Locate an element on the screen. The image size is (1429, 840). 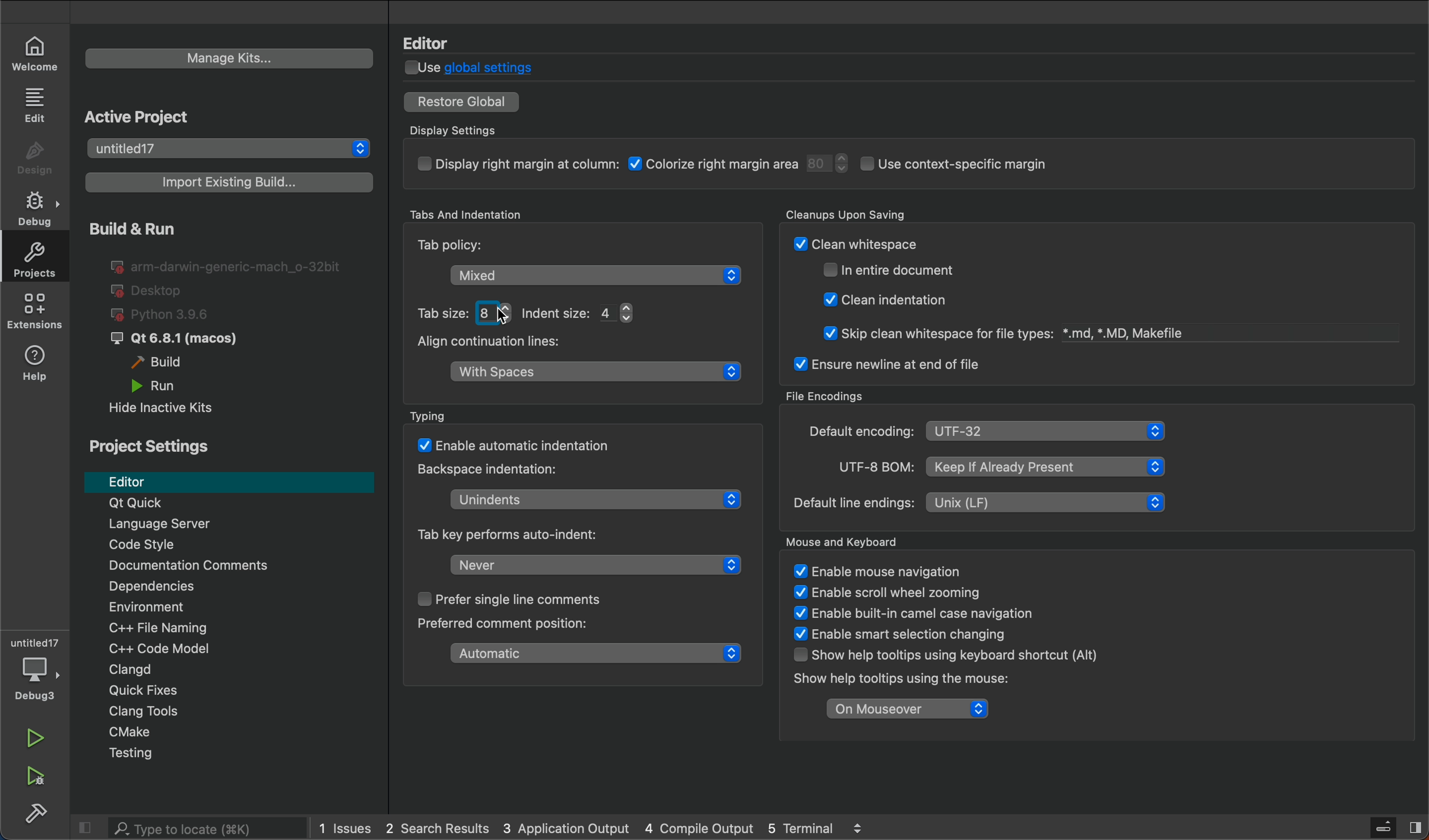
Default line endings: | Unix (LF) &l is located at coordinates (976, 503).